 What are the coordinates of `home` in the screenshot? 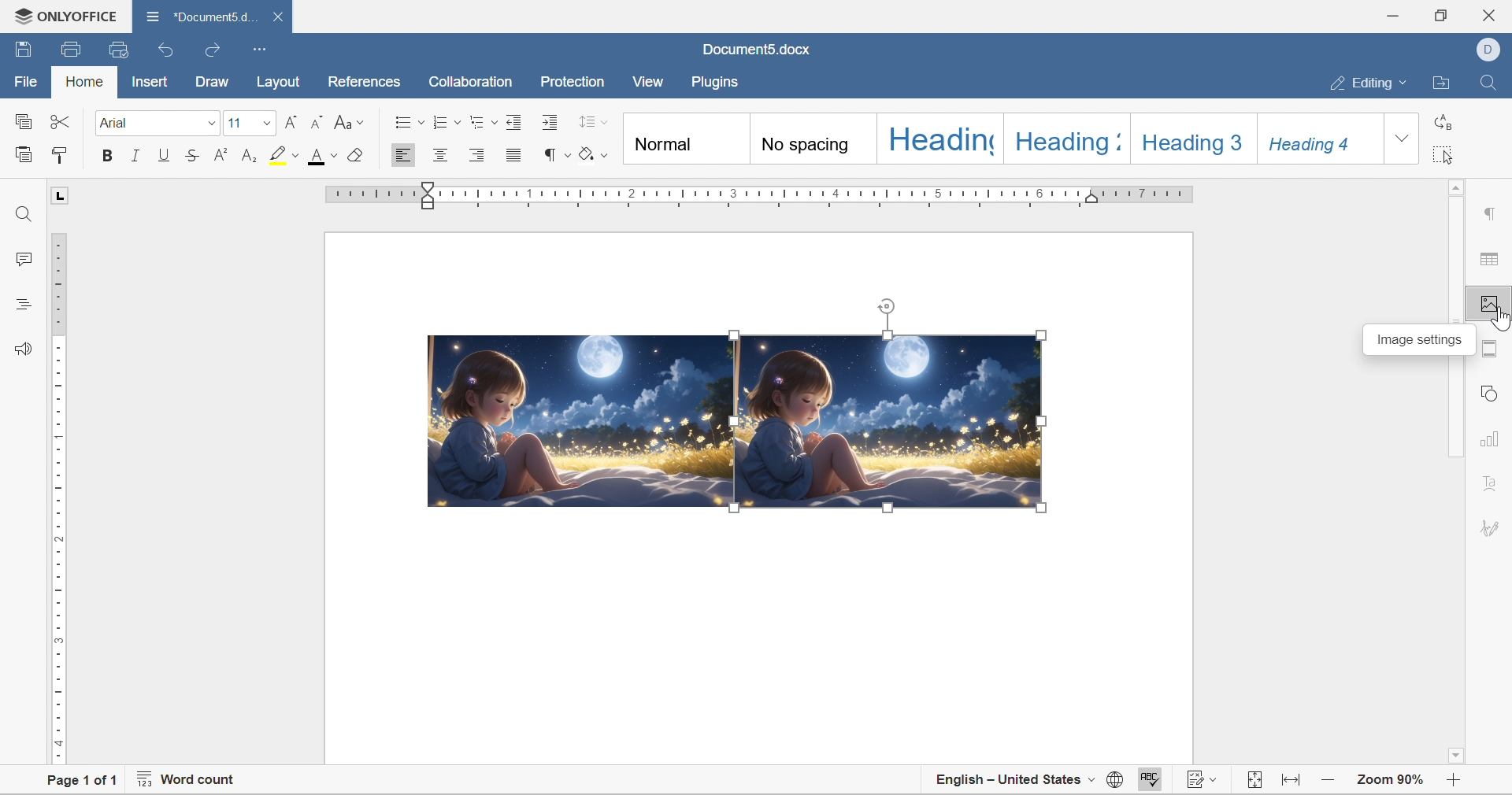 It's located at (83, 80).